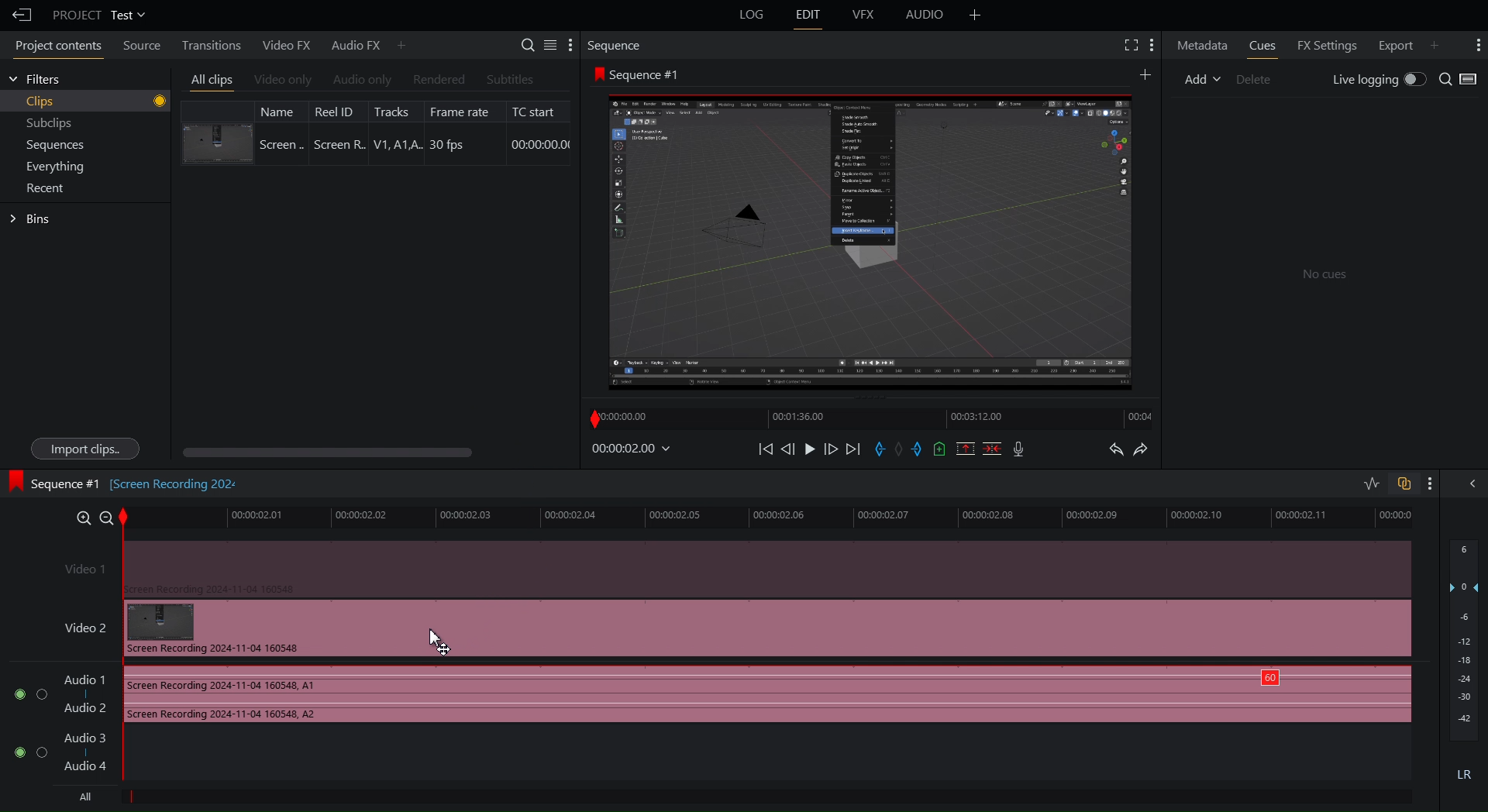  What do you see at coordinates (1128, 45) in the screenshot?
I see `Fullscreen` at bounding box center [1128, 45].